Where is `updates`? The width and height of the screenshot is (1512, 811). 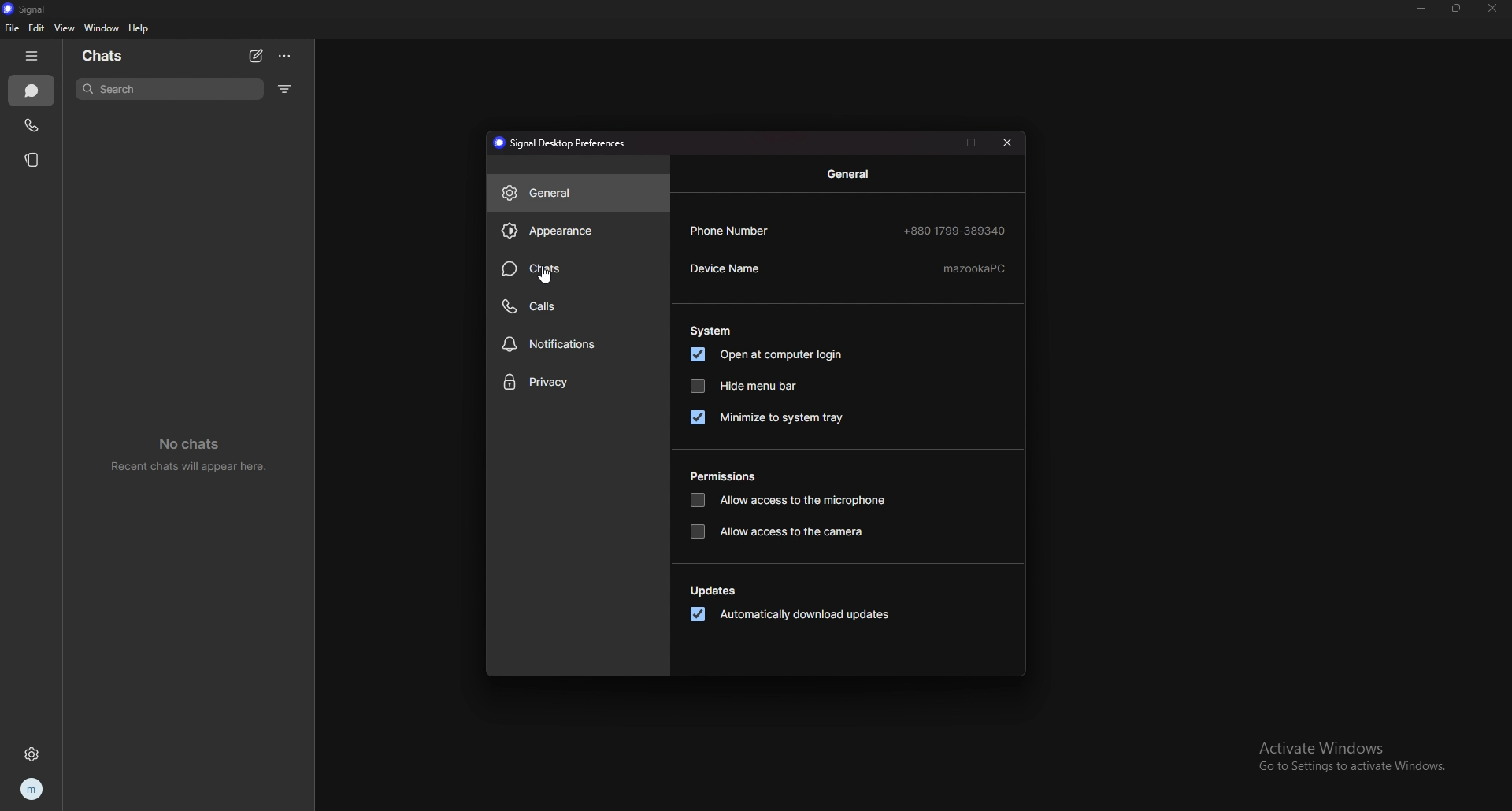
updates is located at coordinates (714, 592).